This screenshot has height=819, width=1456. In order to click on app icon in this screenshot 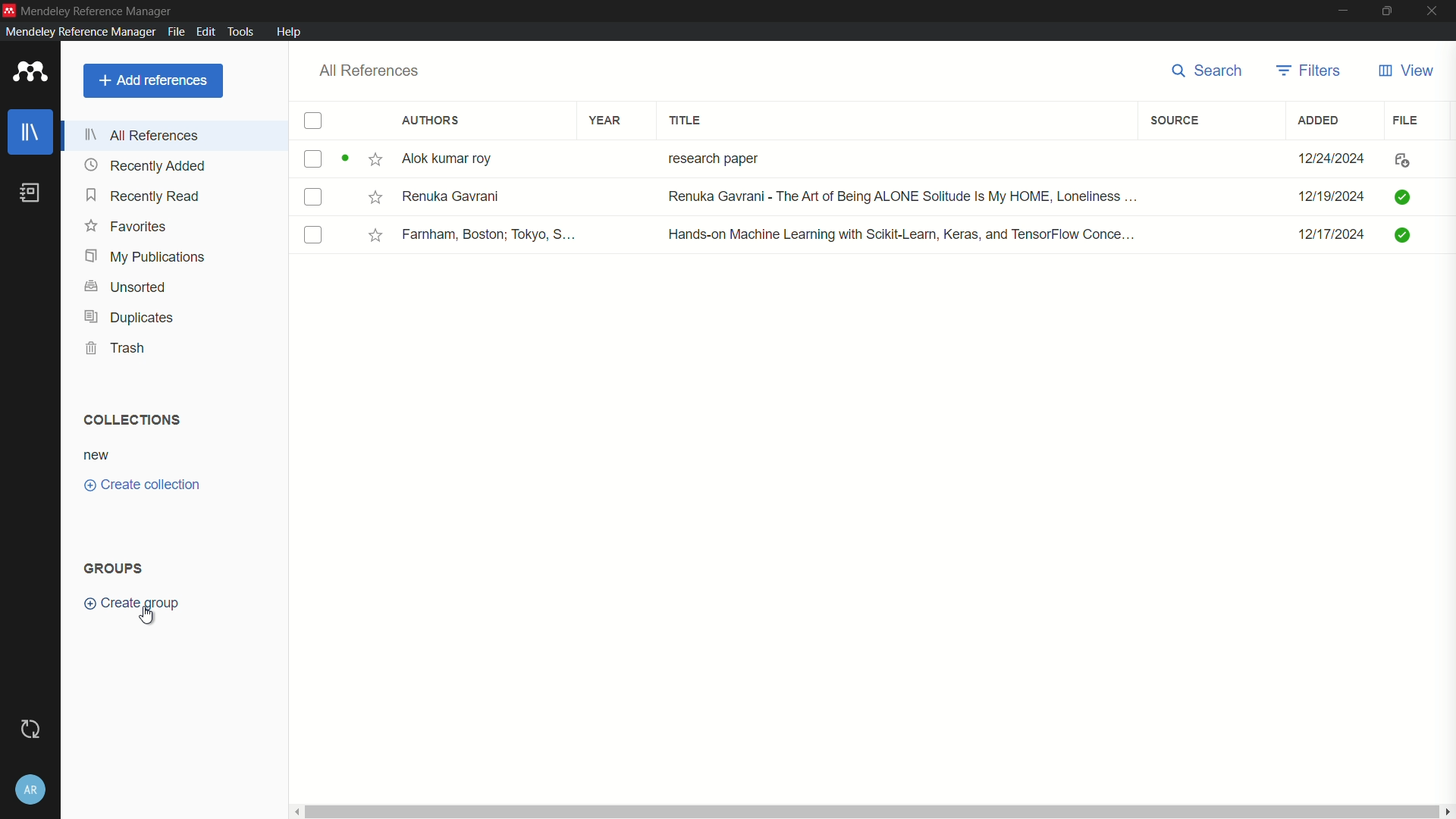, I will do `click(9, 8)`.